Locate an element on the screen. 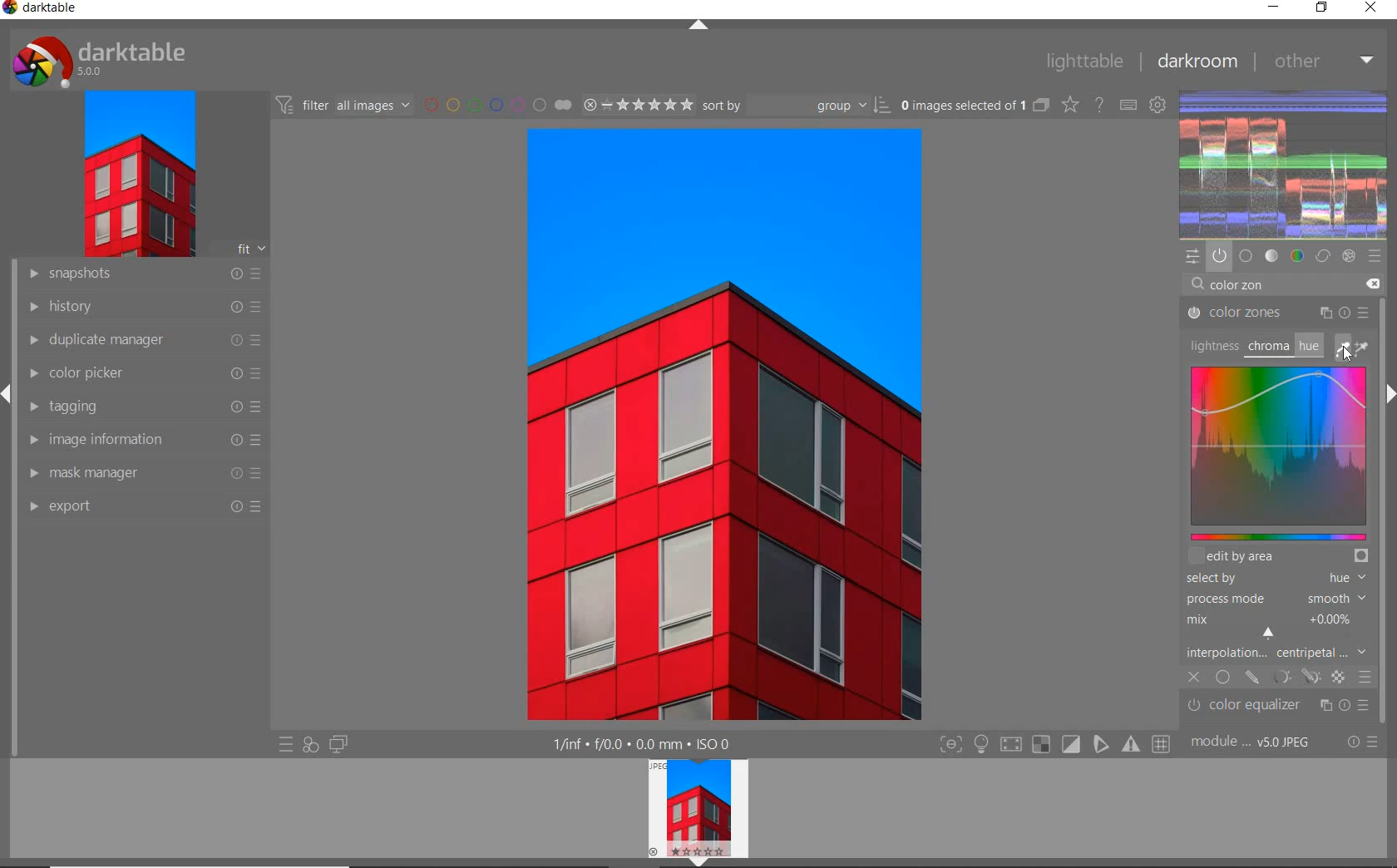 The image size is (1397, 868). INPUT VALUE is located at coordinates (1239, 288).